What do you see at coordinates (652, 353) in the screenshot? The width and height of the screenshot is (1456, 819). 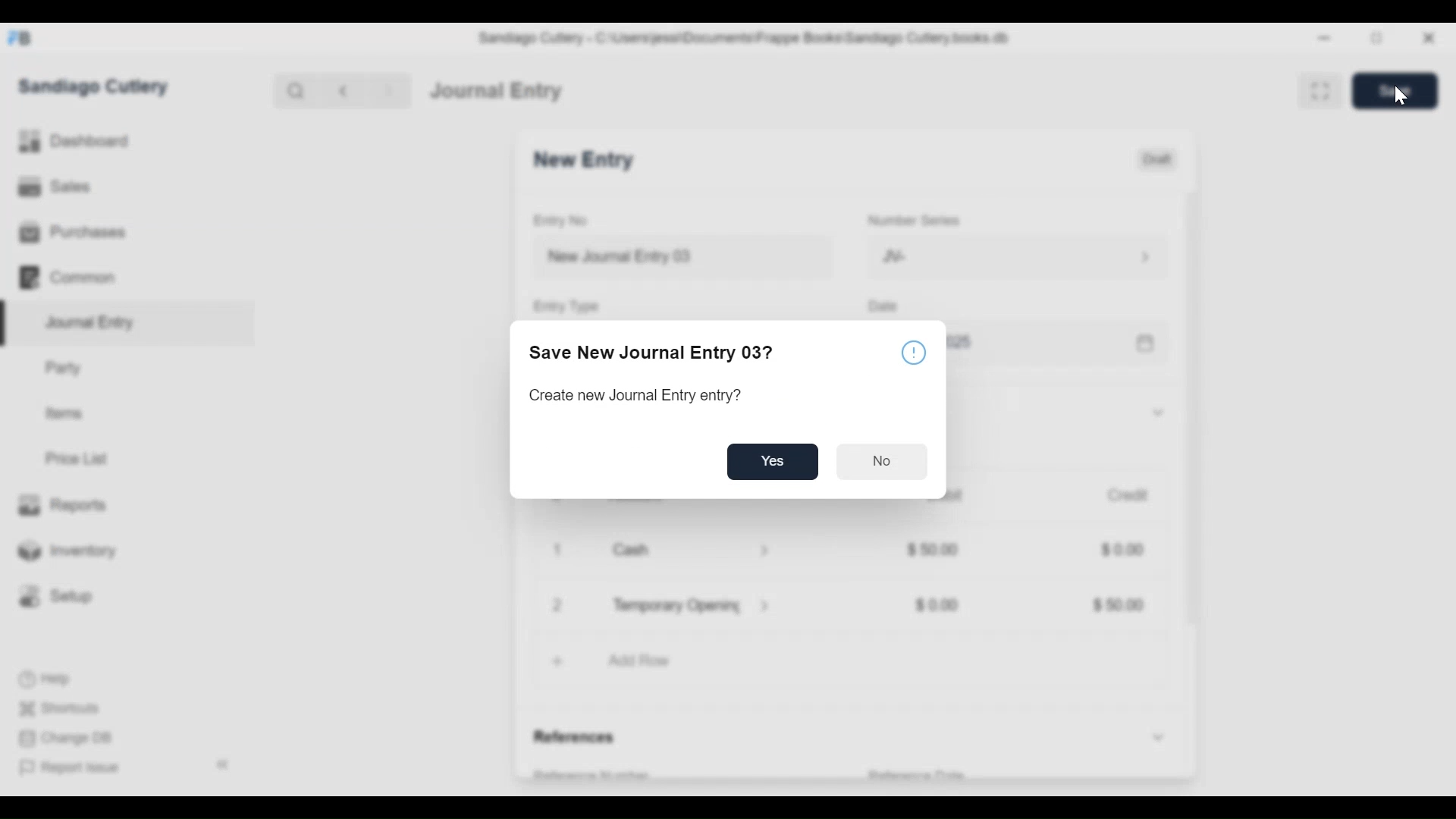 I see `Save New Journal Entry 03?` at bounding box center [652, 353].